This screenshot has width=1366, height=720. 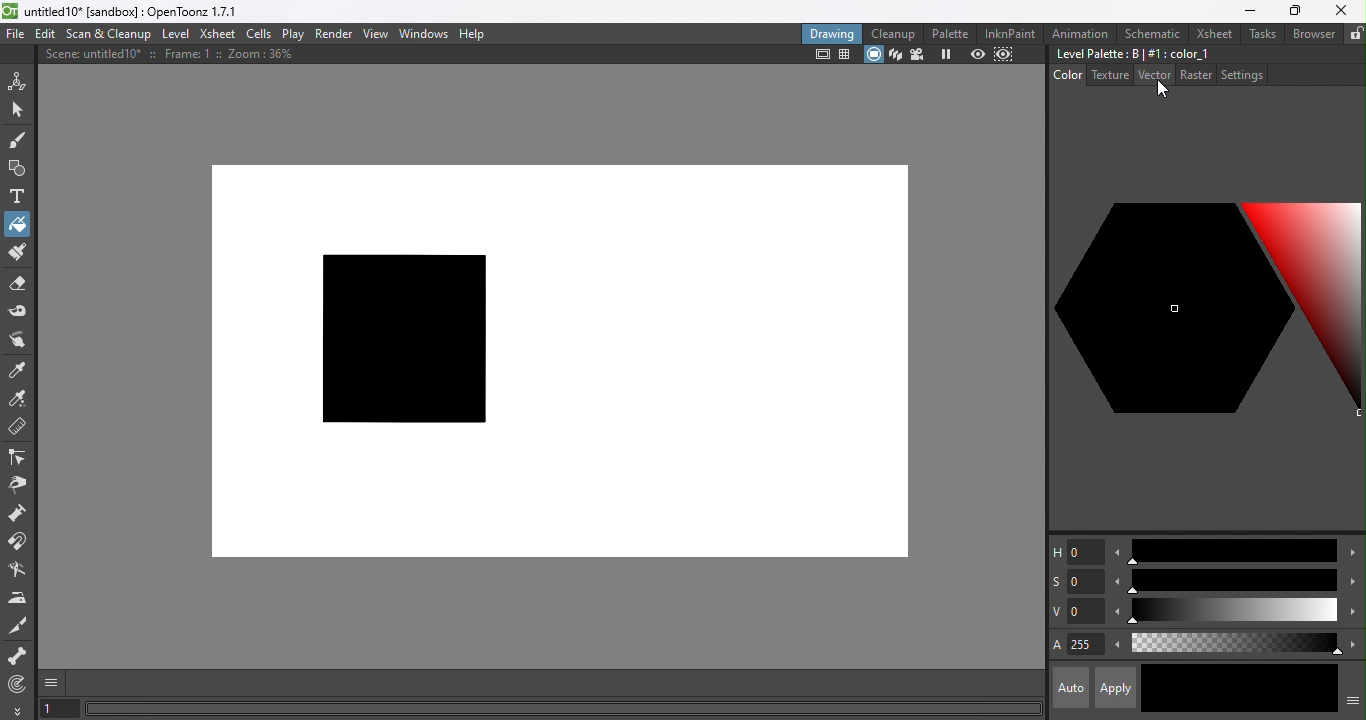 I want to click on Slide bar, so click(x=1232, y=581).